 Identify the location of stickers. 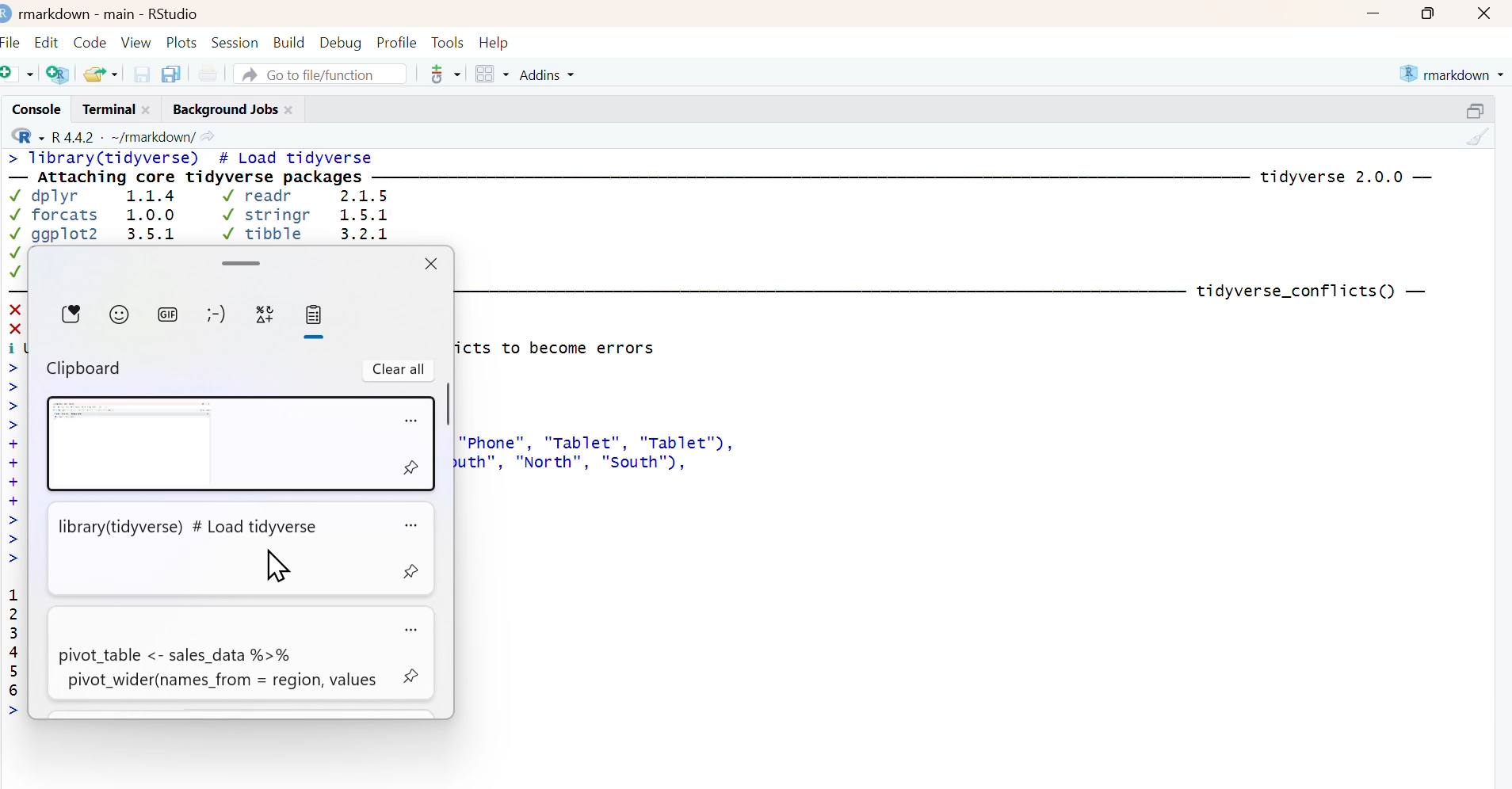
(74, 318).